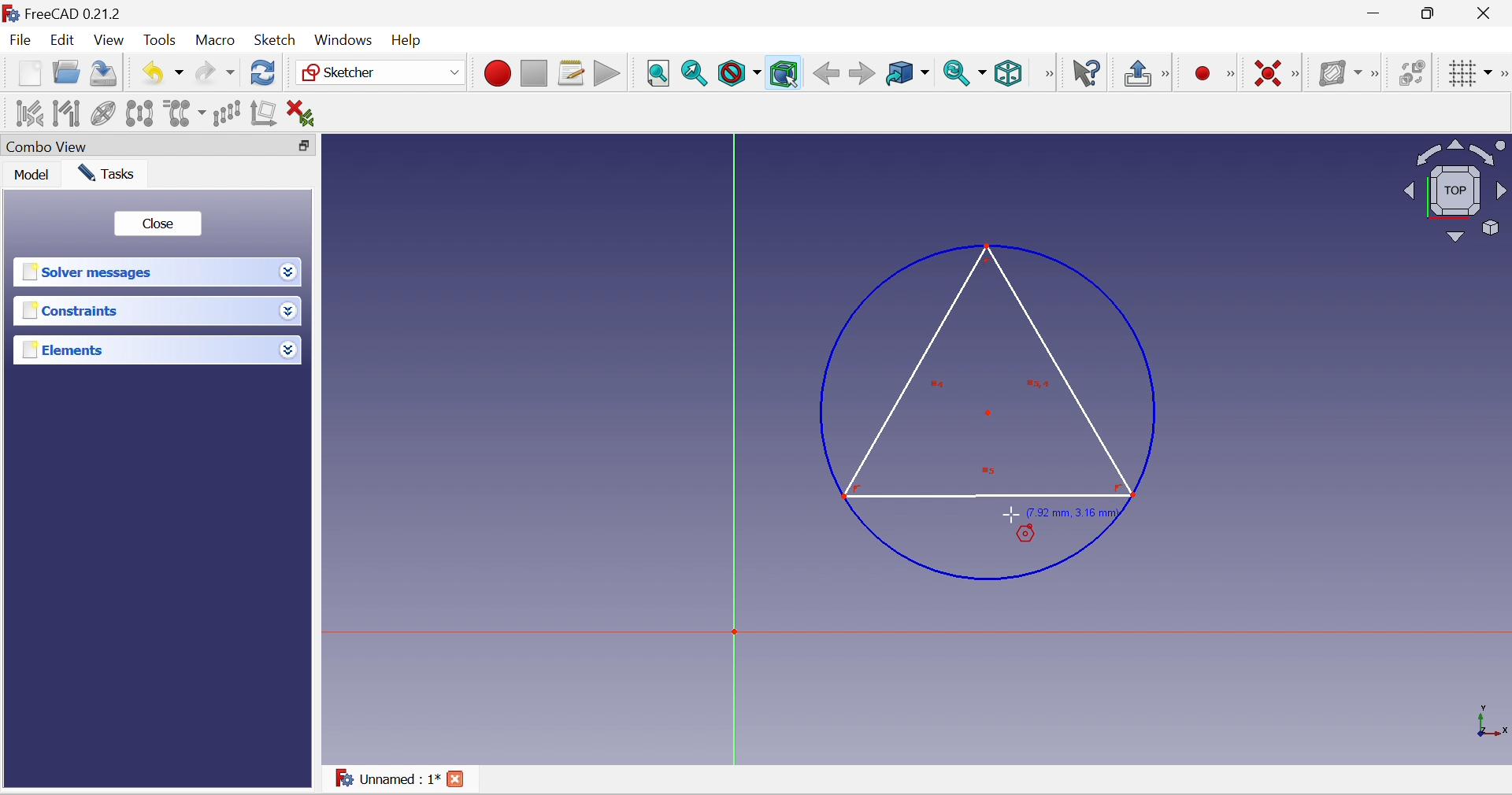 This screenshot has width=1512, height=795. What do you see at coordinates (288, 272) in the screenshot?
I see `Drop down` at bounding box center [288, 272].